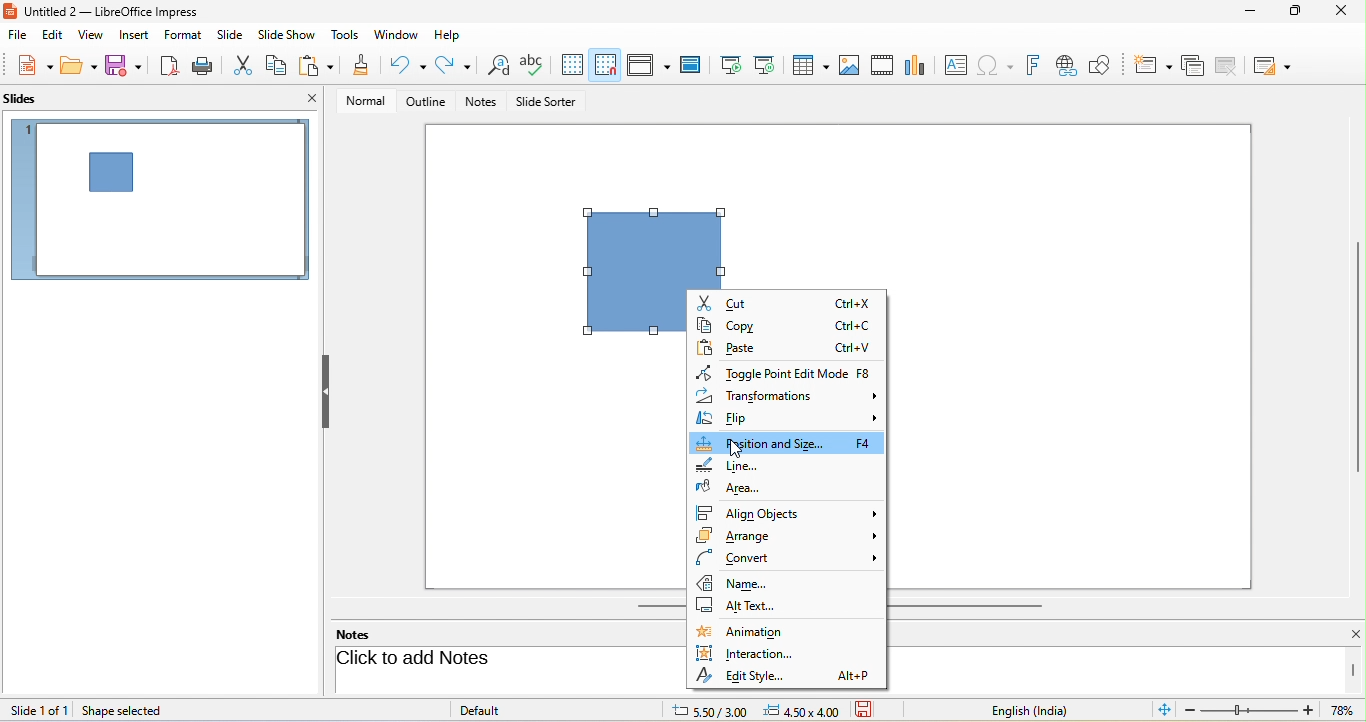  Describe the element at coordinates (788, 511) in the screenshot. I see `align objects` at that location.